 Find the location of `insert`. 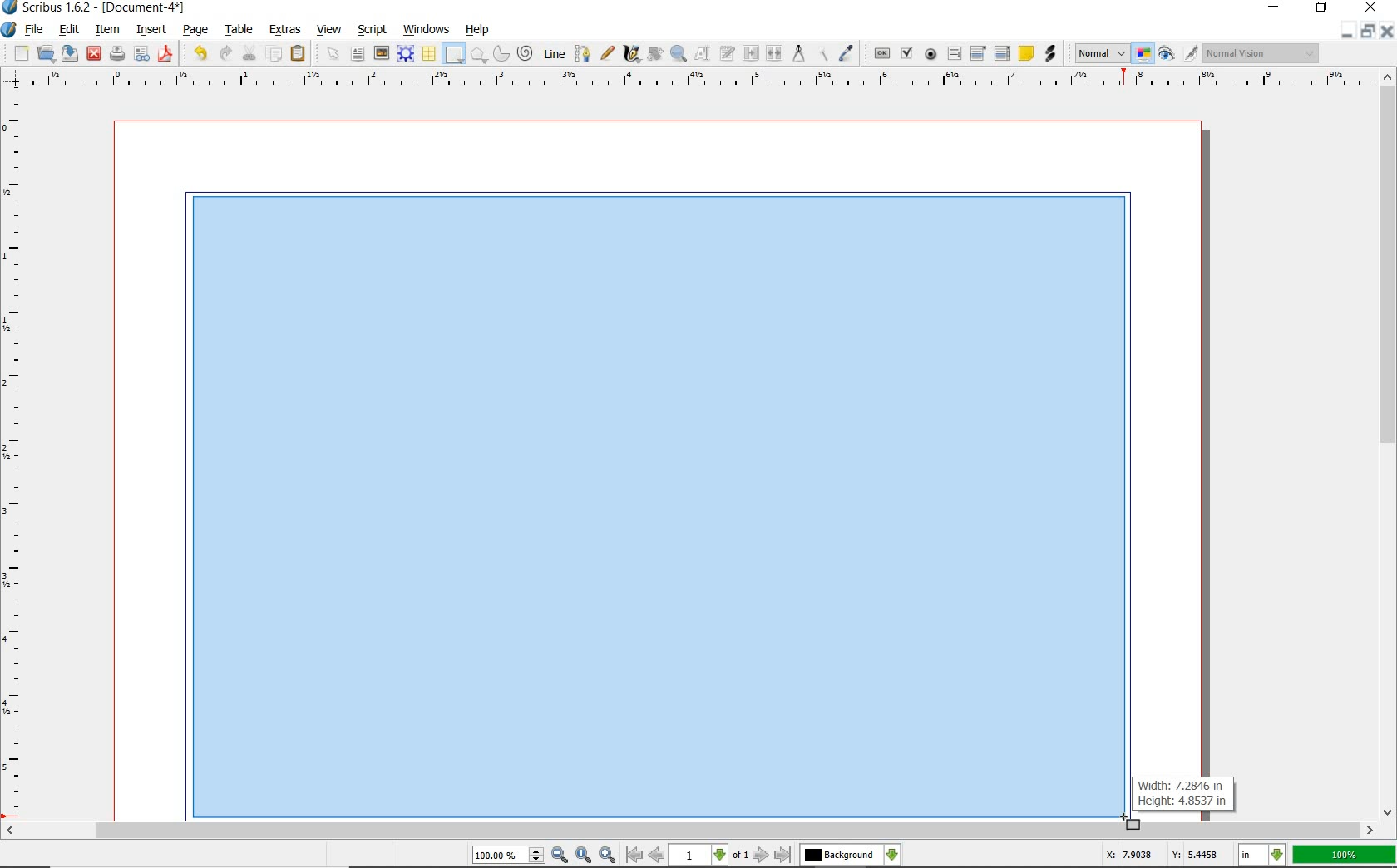

insert is located at coordinates (151, 29).